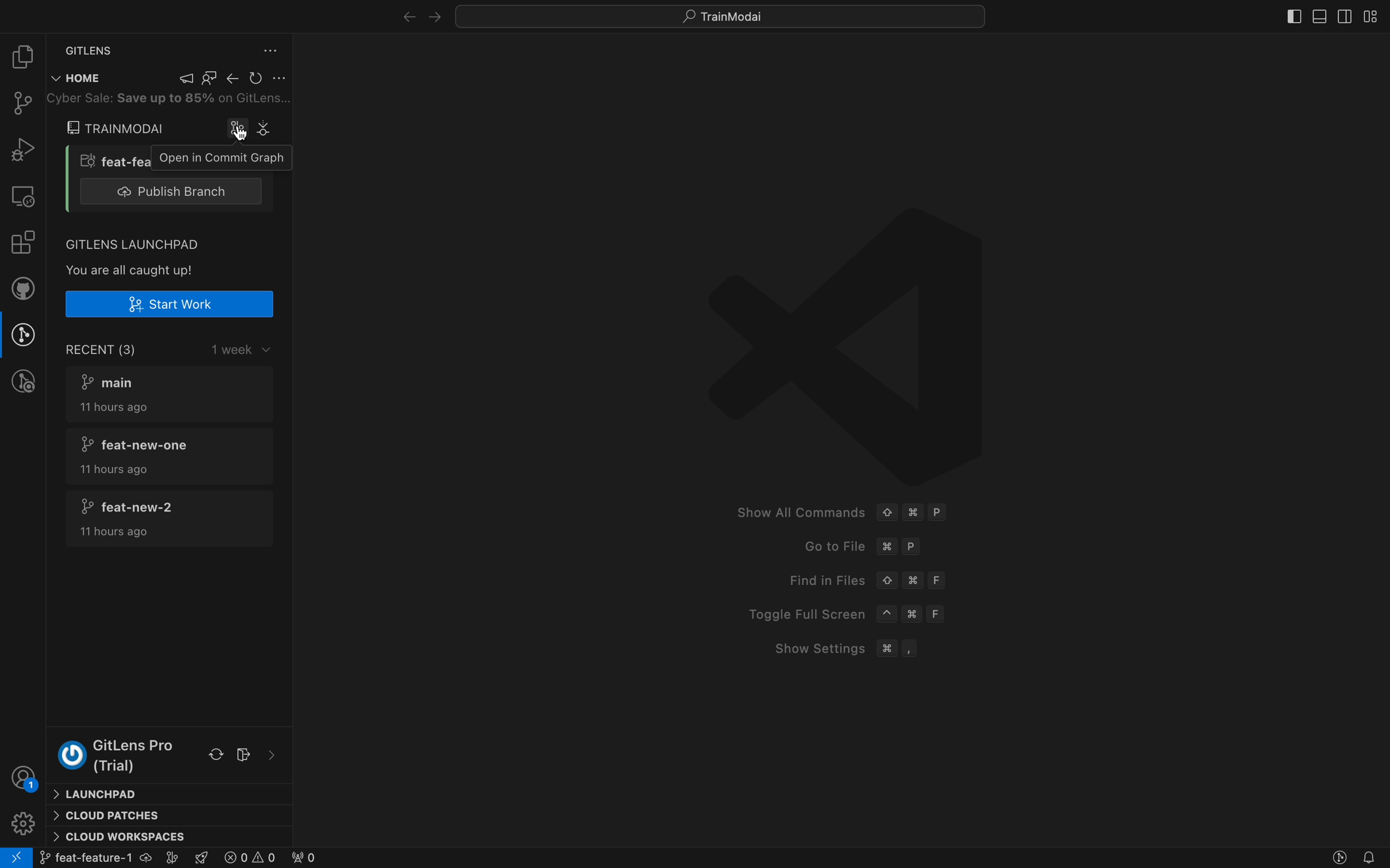 The width and height of the screenshot is (1390, 868). Describe the element at coordinates (22, 242) in the screenshot. I see `Extensions` at that location.